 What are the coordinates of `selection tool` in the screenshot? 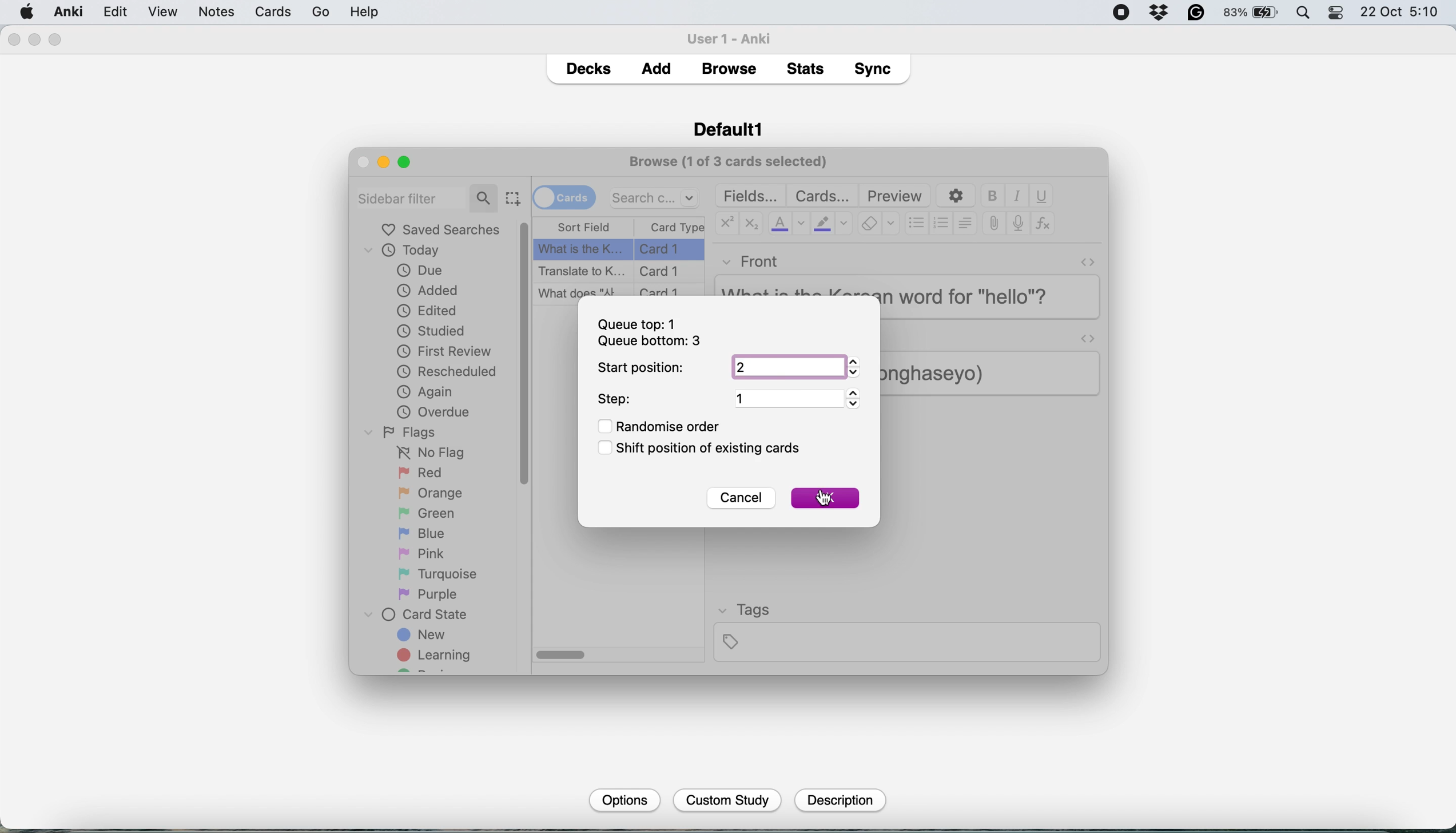 It's located at (512, 198).